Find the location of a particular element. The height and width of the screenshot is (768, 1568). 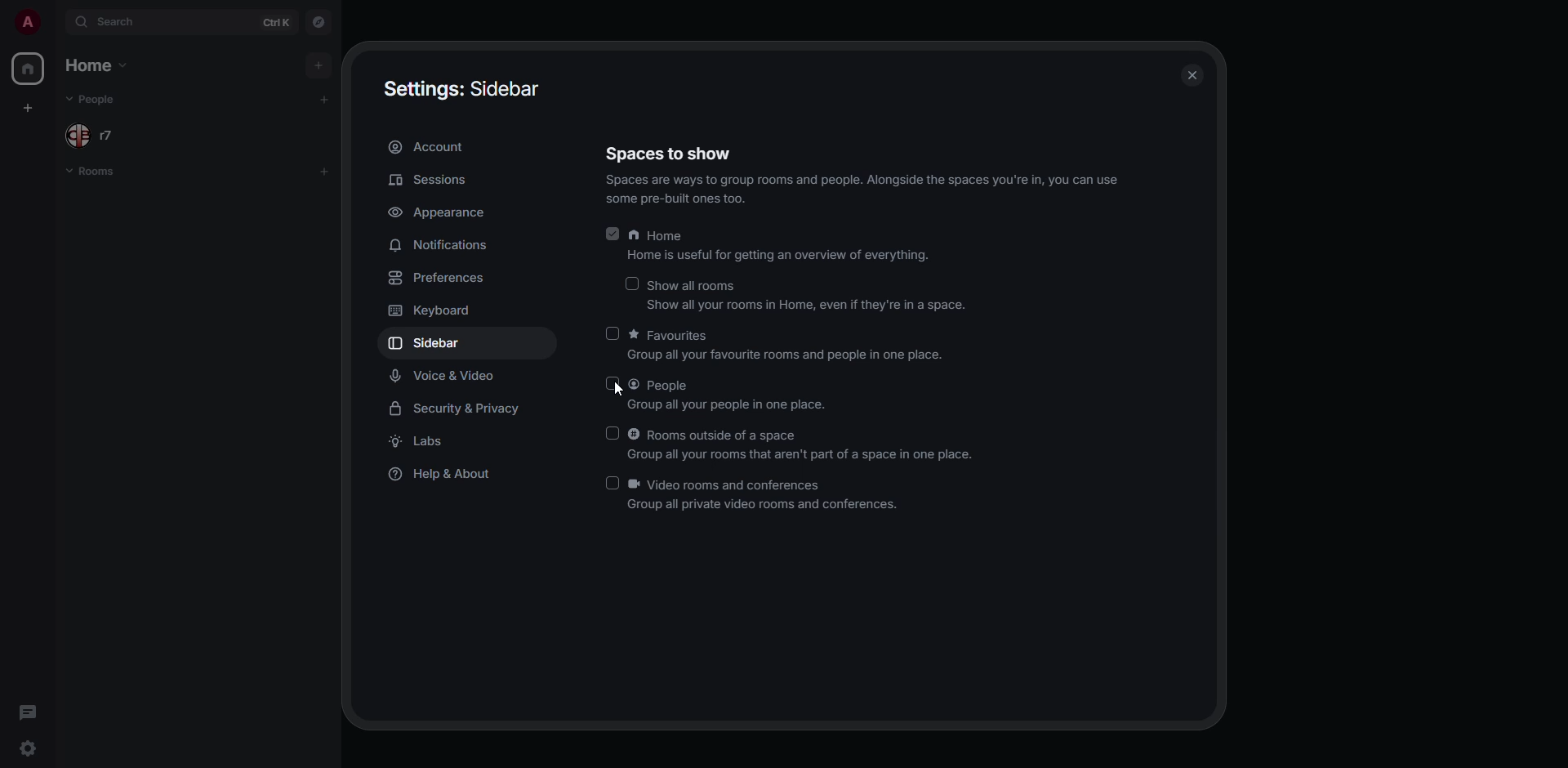

ctrl K is located at coordinates (278, 20).